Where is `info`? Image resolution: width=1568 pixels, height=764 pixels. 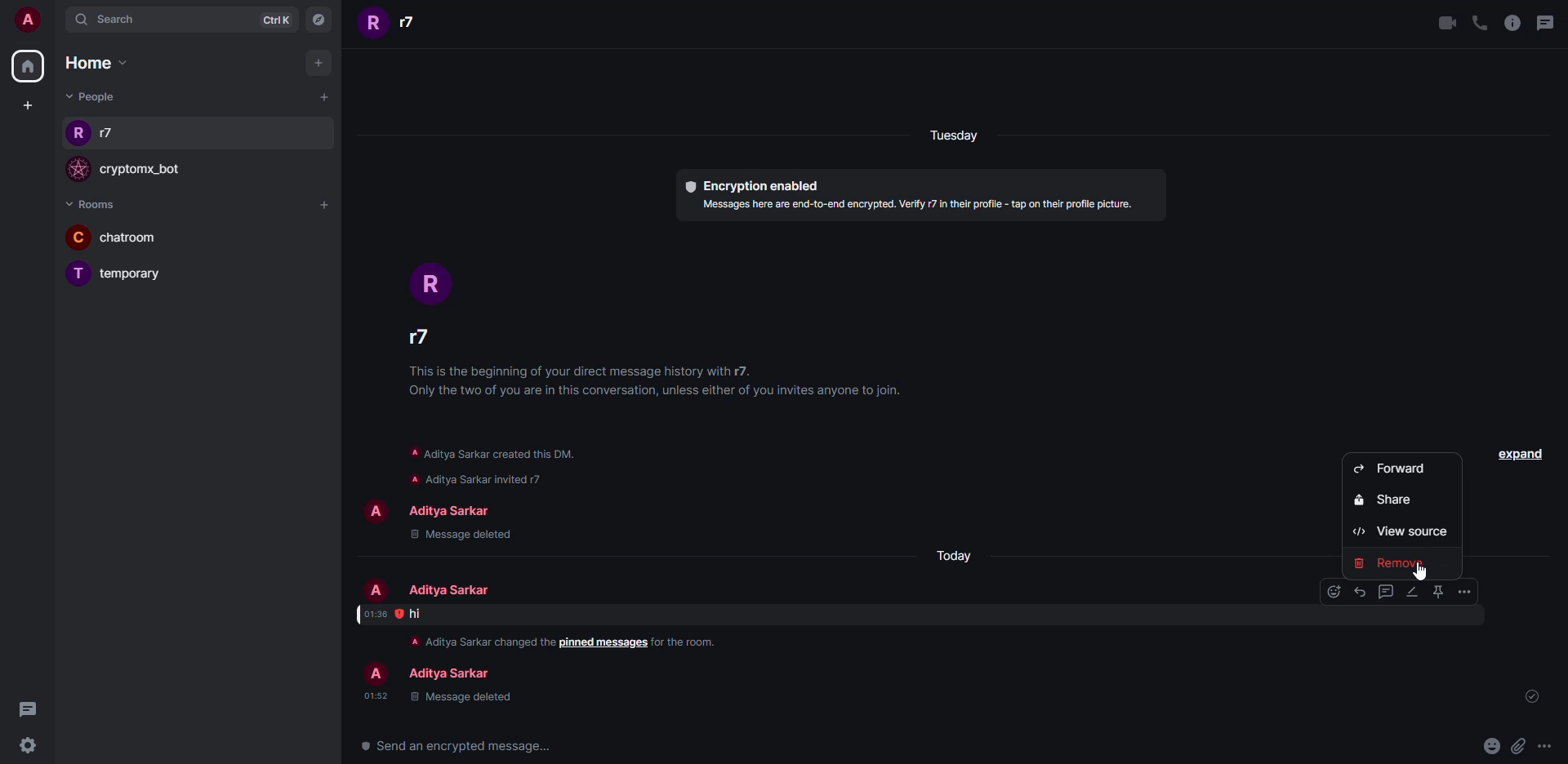
info is located at coordinates (688, 642).